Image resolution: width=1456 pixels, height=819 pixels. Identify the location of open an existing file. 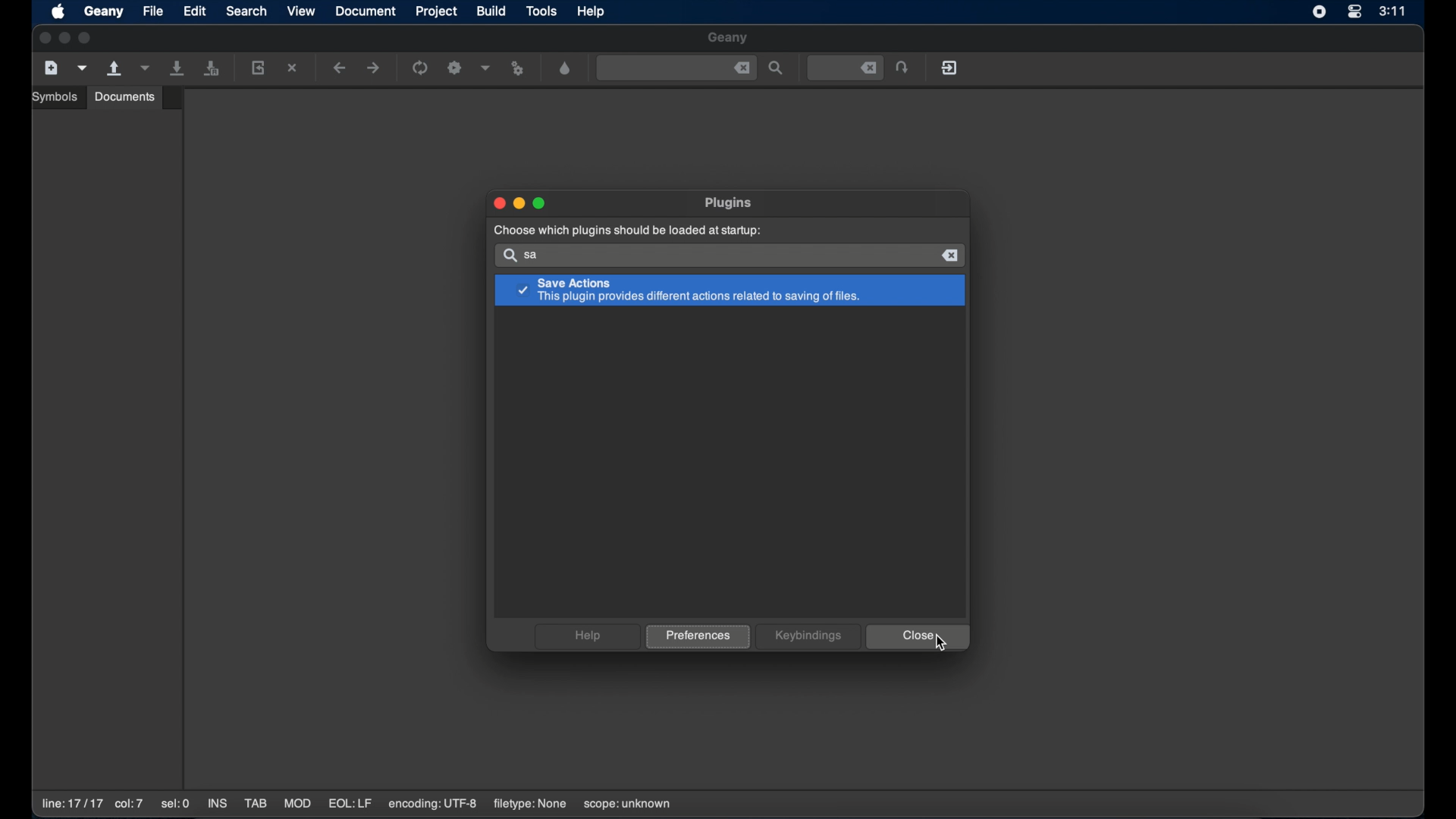
(115, 69).